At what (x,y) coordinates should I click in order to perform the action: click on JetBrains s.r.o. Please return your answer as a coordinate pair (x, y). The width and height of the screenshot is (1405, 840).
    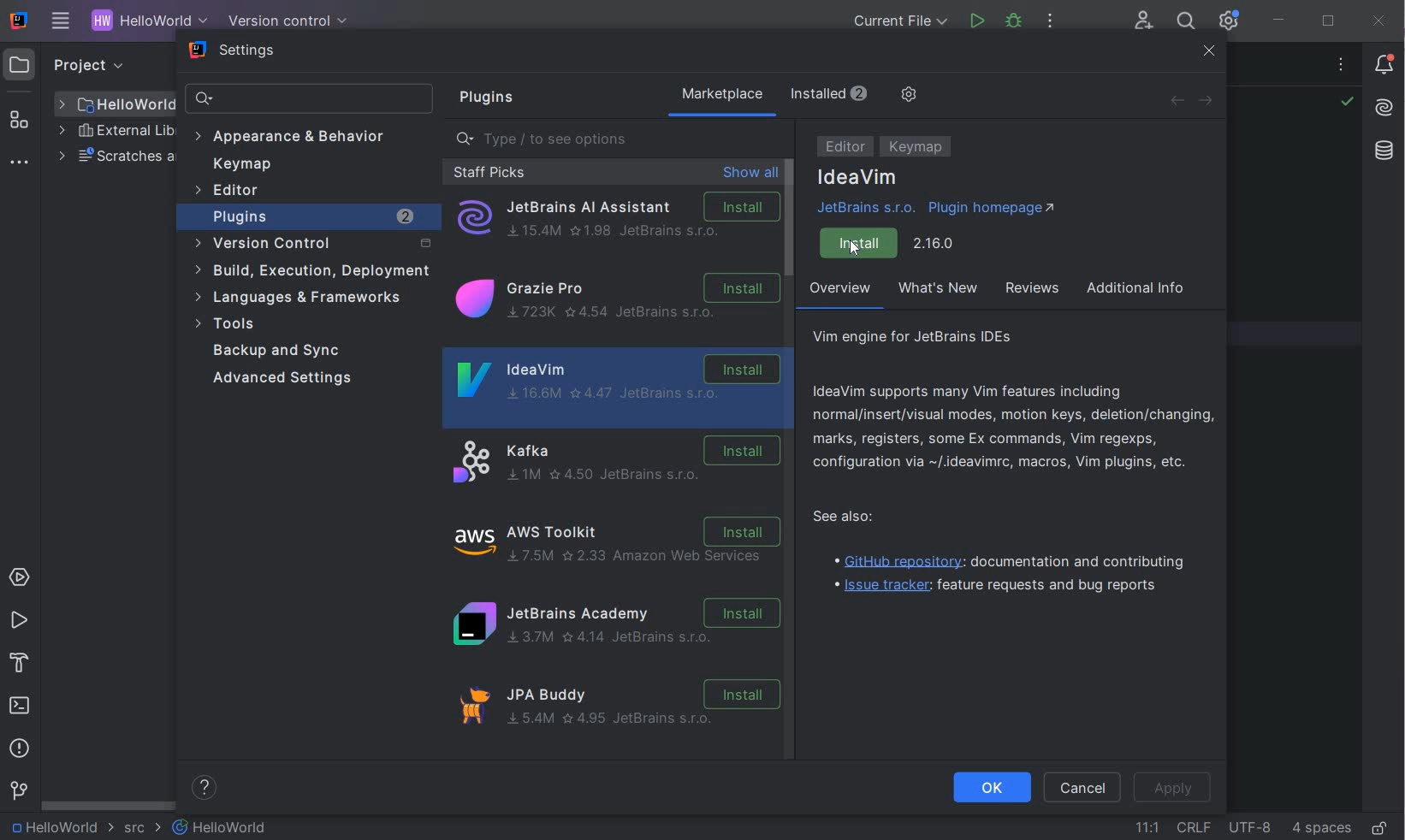
    Looking at the image, I should click on (864, 210).